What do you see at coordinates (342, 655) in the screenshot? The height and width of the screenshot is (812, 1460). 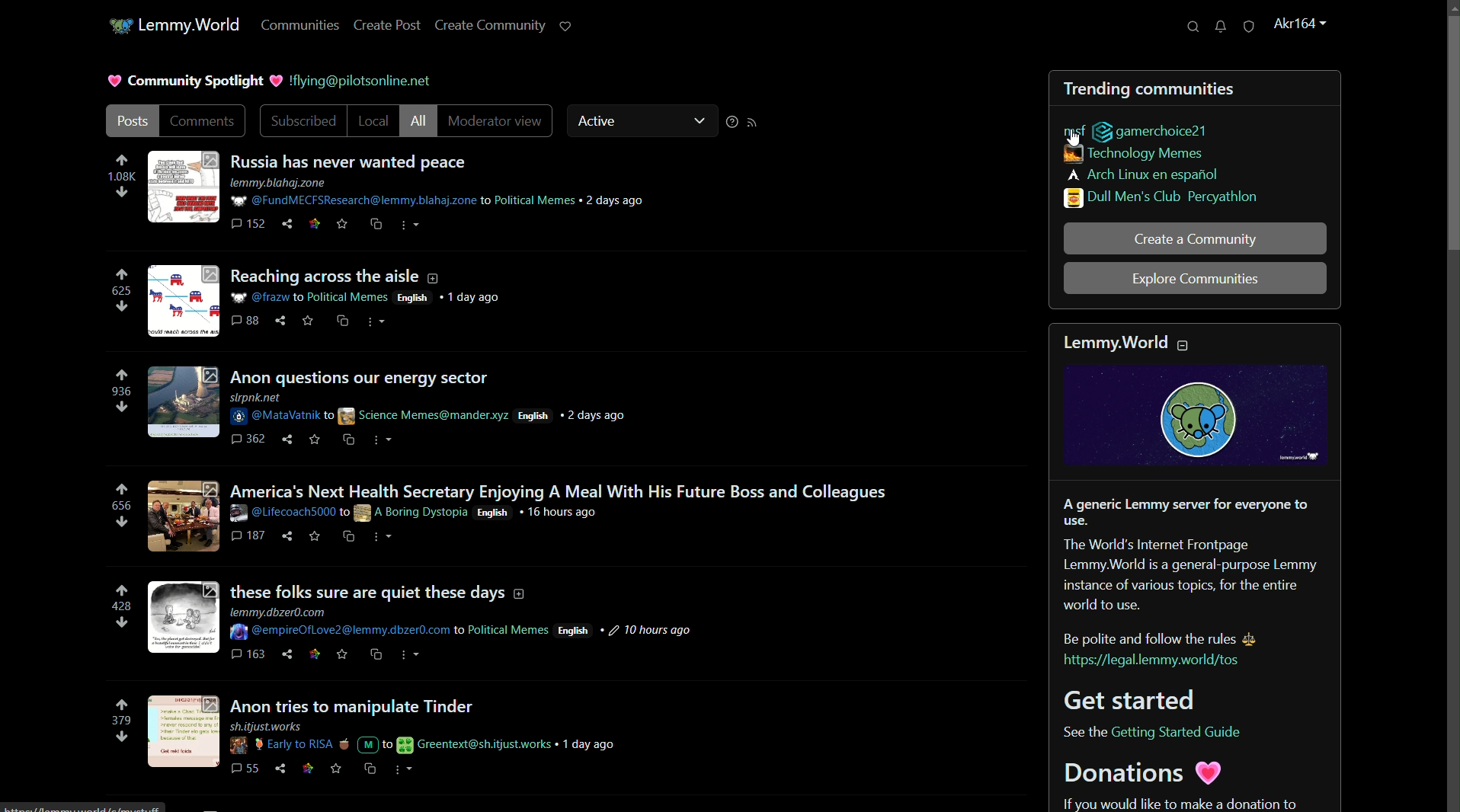 I see `save` at bounding box center [342, 655].